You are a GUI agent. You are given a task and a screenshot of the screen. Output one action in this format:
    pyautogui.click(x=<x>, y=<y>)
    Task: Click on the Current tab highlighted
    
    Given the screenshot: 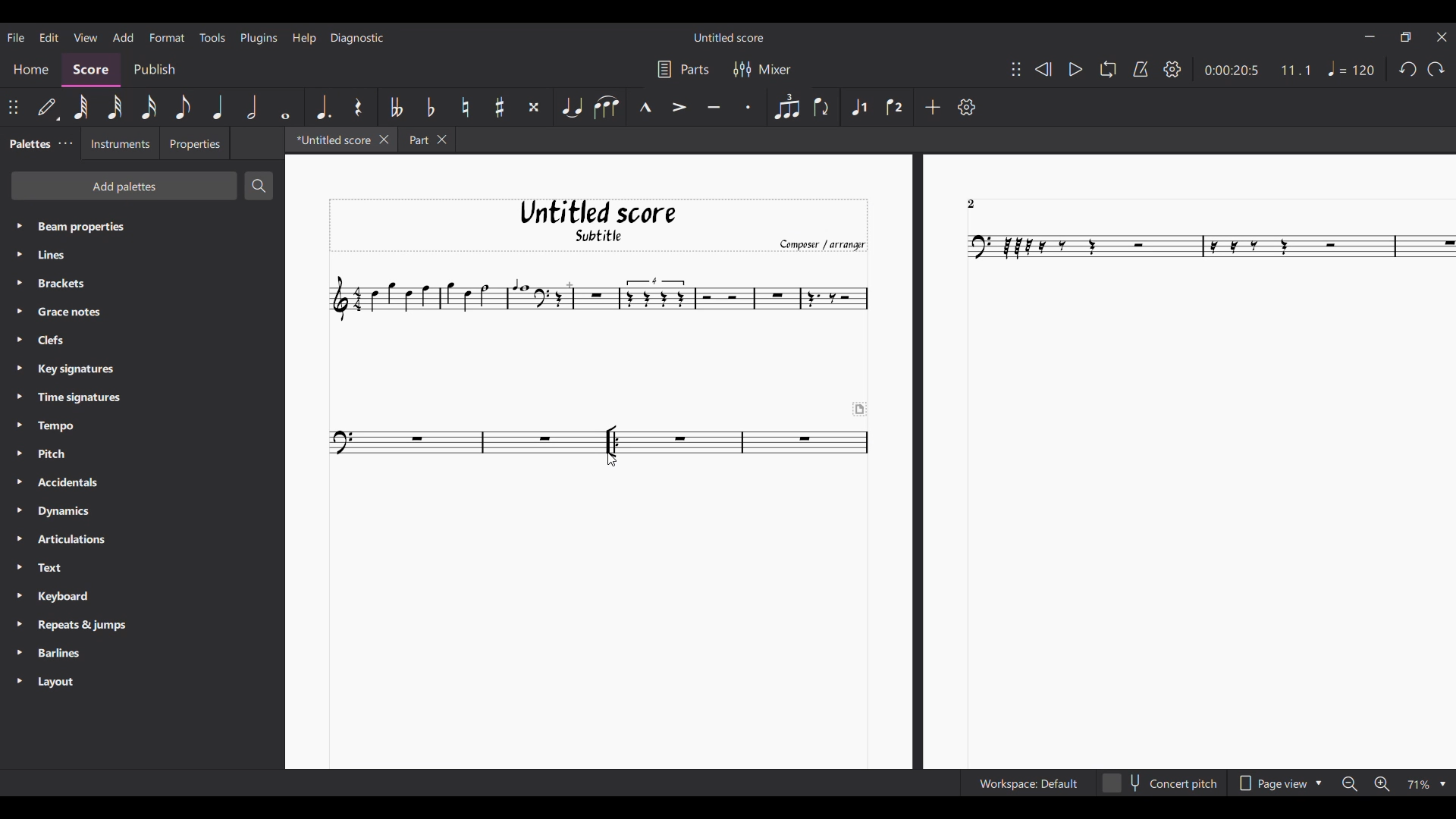 What is the action you would take?
    pyautogui.click(x=331, y=140)
    